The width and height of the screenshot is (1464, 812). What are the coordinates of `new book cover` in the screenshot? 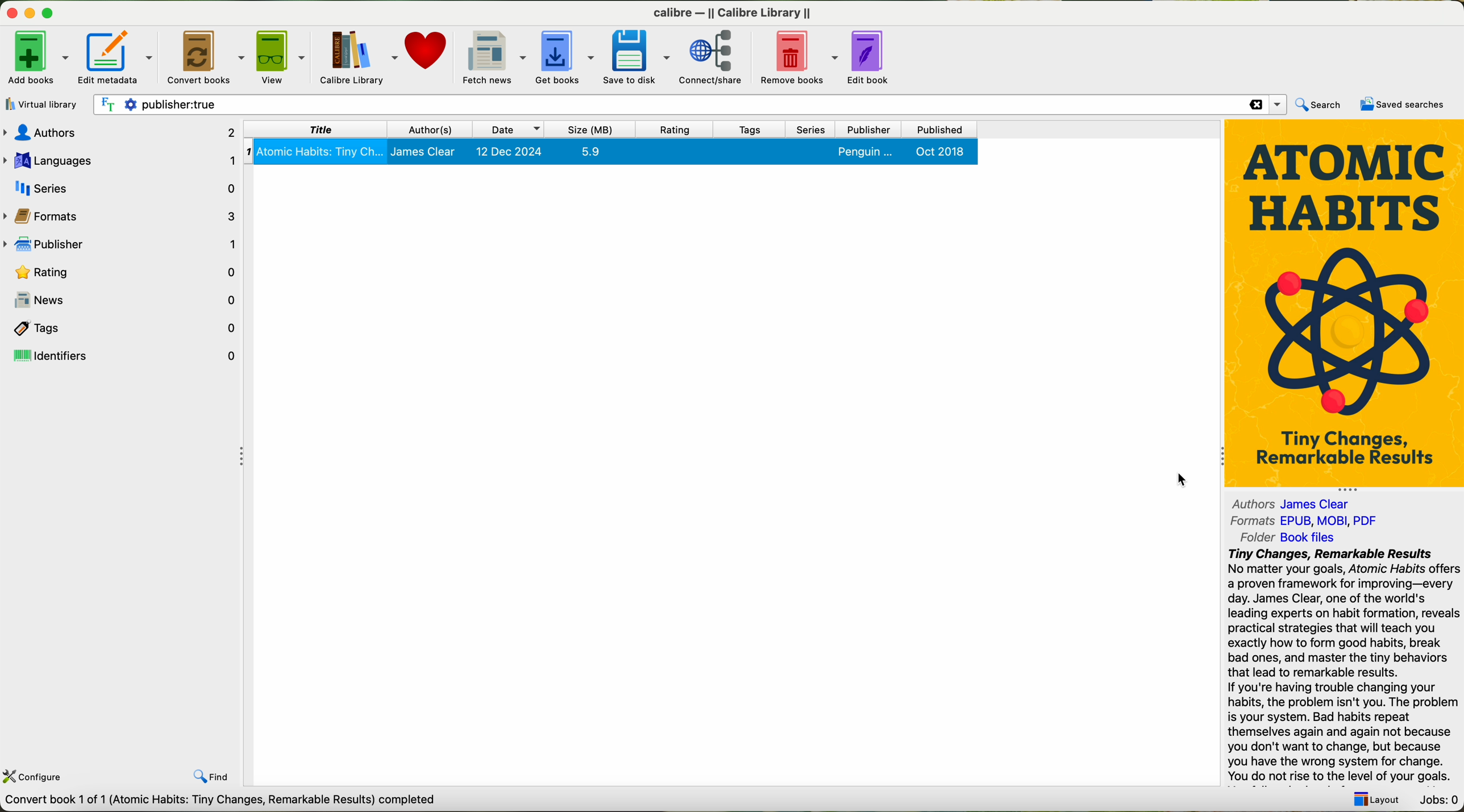 It's located at (1344, 302).